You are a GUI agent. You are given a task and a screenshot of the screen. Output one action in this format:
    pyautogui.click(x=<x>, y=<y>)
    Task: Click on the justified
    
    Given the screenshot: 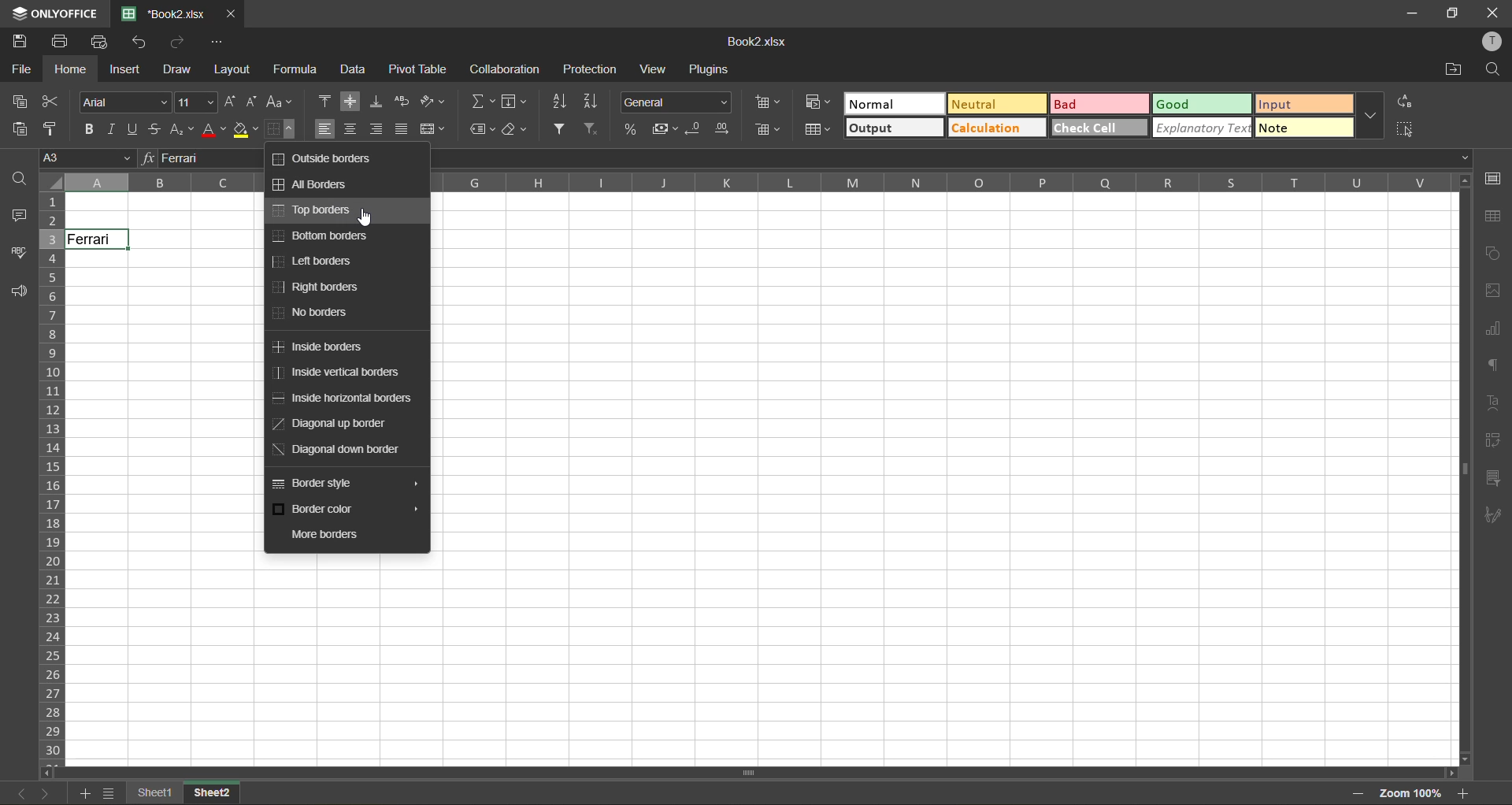 What is the action you would take?
    pyautogui.click(x=399, y=130)
    